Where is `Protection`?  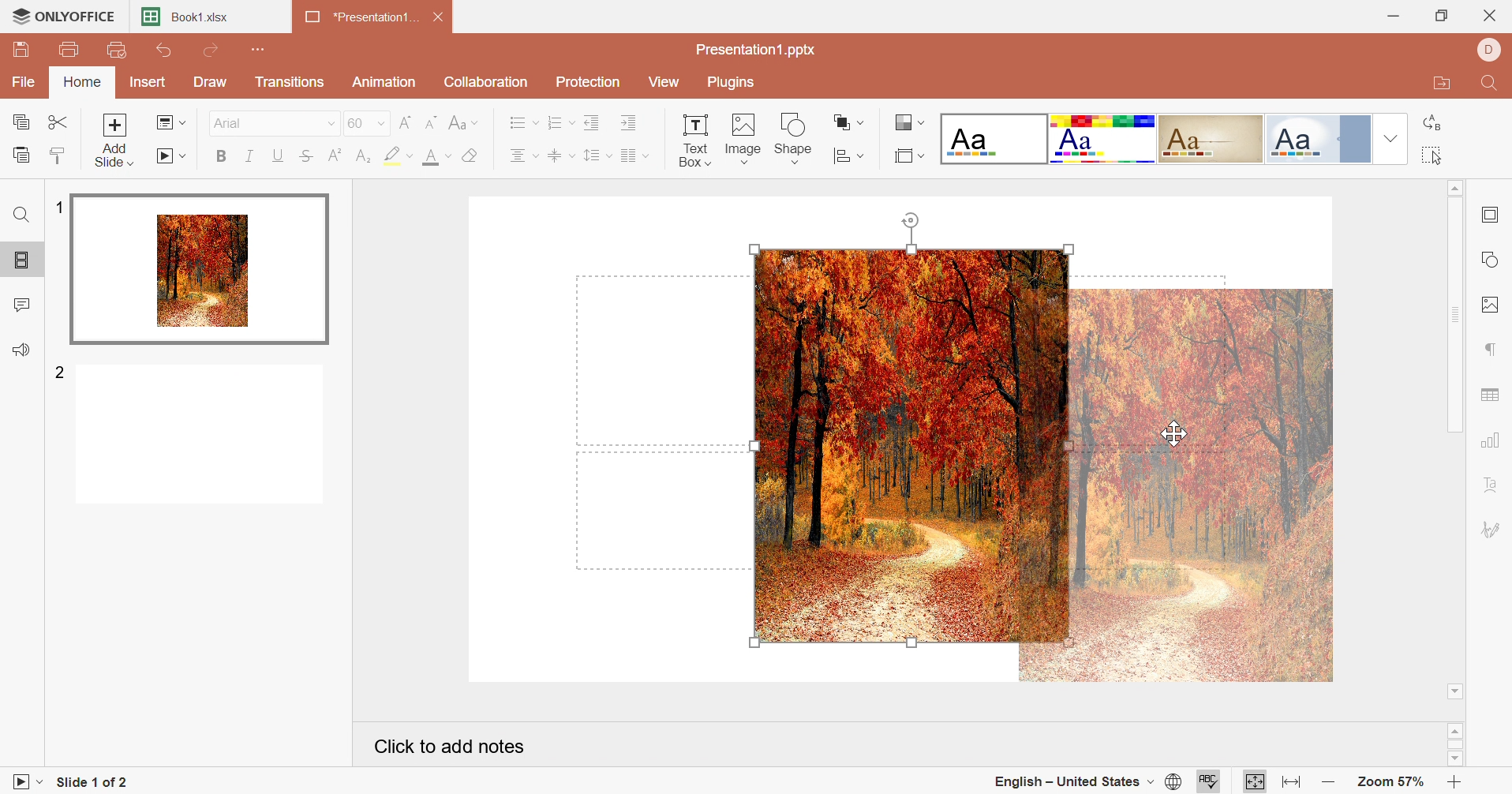 Protection is located at coordinates (592, 83).